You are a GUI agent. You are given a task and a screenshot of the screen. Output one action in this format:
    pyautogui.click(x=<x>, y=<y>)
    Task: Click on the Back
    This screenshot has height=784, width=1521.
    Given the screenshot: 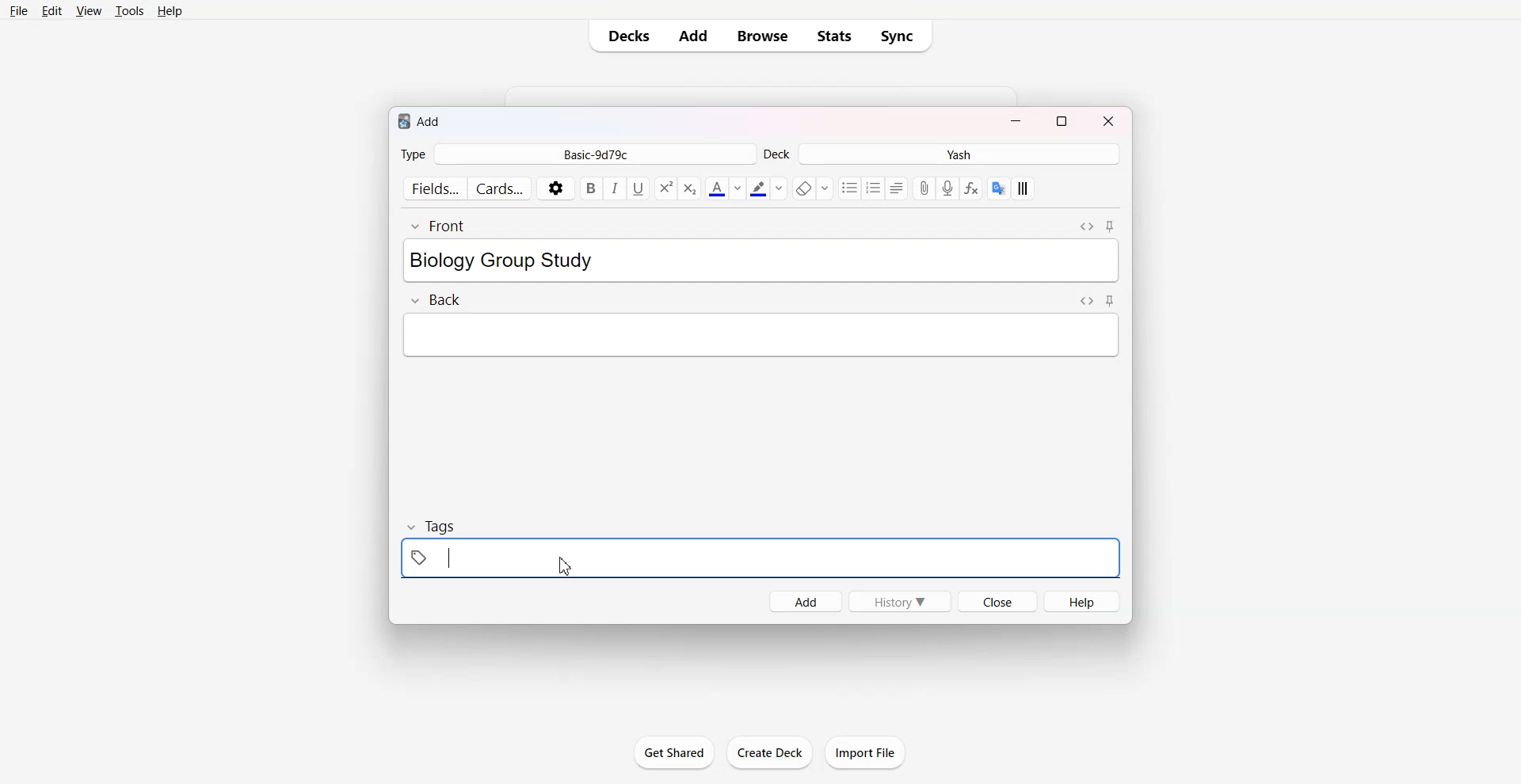 What is the action you would take?
    pyautogui.click(x=435, y=299)
    